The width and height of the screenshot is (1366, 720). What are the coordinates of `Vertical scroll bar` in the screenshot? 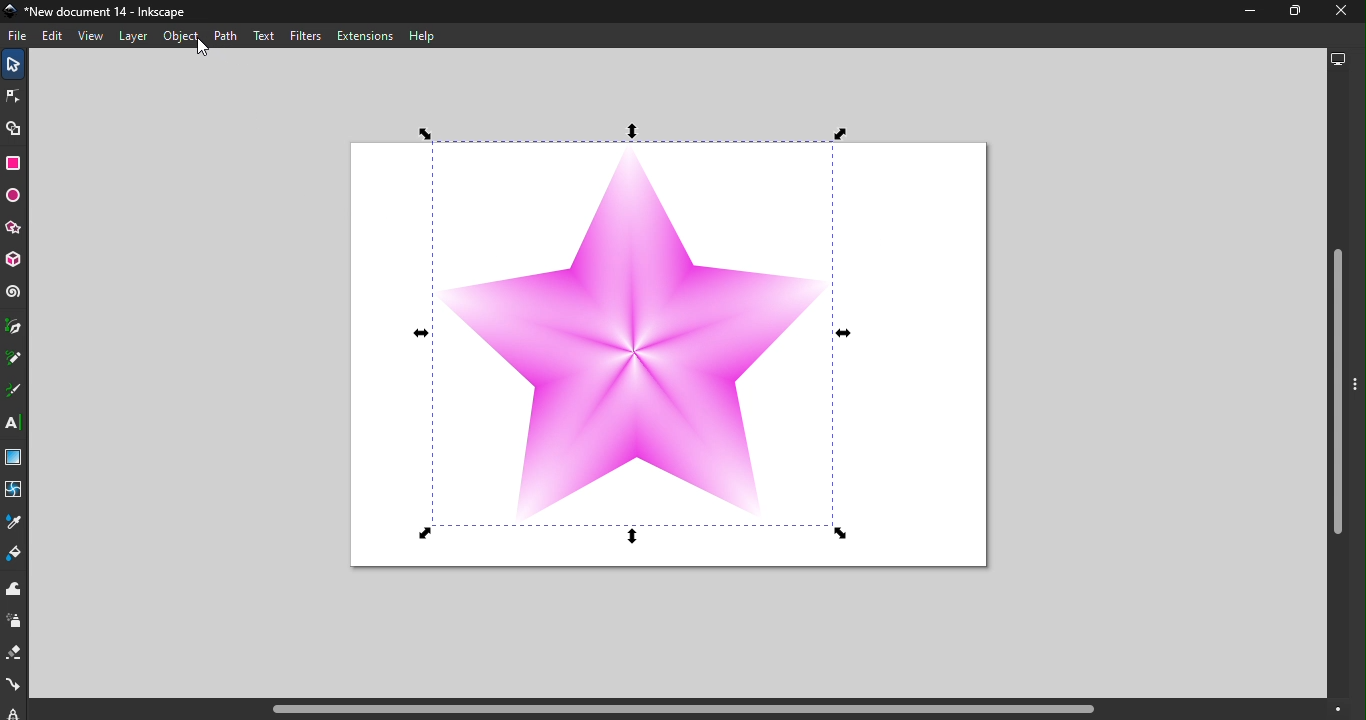 It's located at (1336, 383).